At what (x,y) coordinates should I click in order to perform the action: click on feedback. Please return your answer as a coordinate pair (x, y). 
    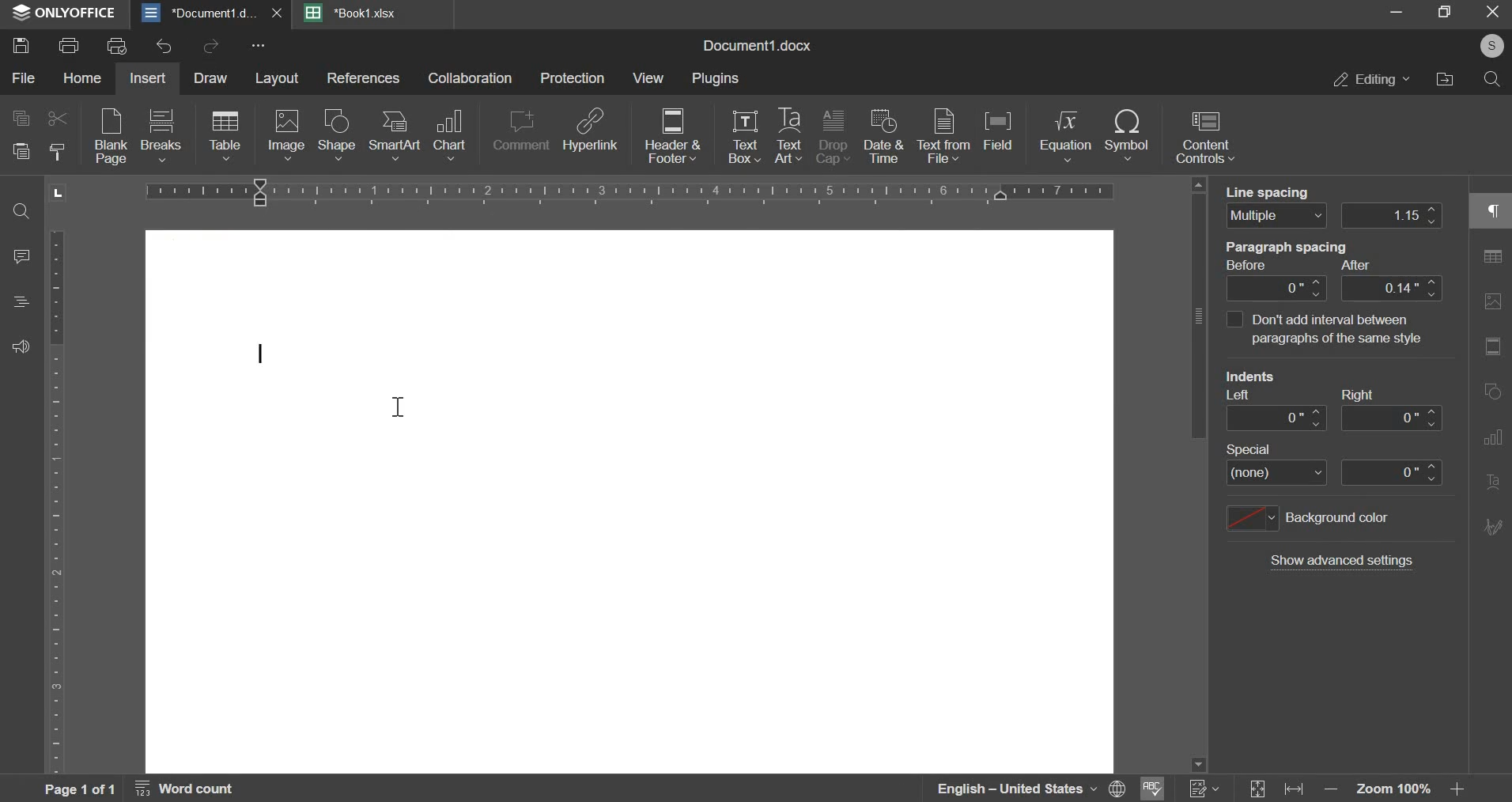
    Looking at the image, I should click on (21, 348).